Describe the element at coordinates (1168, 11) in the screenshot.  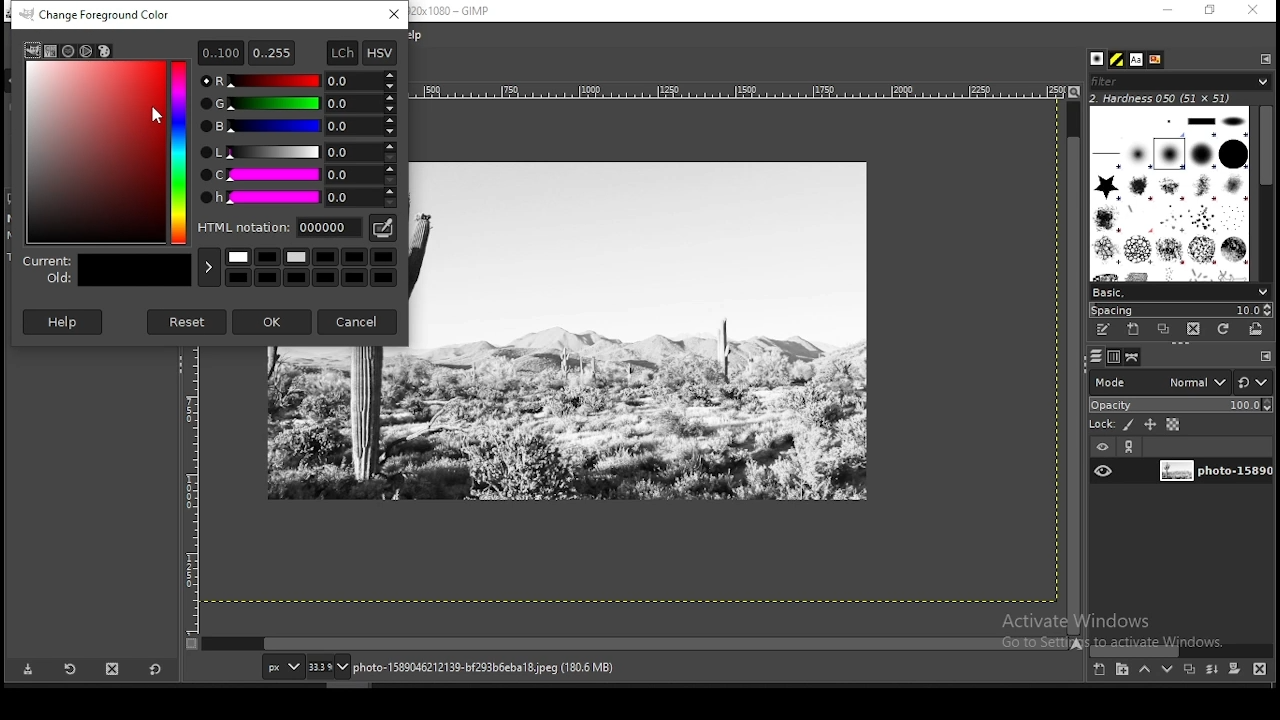
I see `minimize` at that location.